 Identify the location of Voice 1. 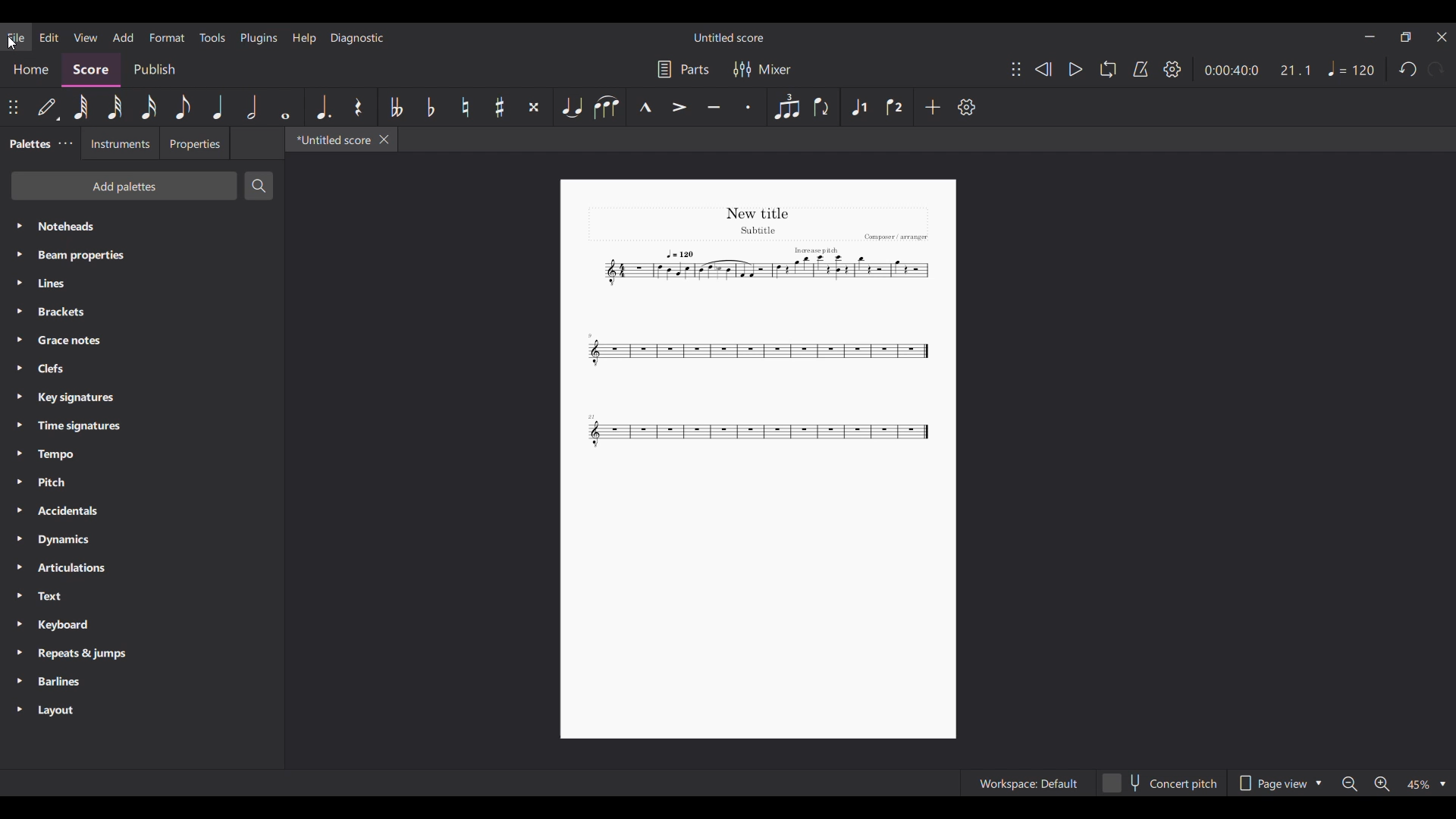
(858, 107).